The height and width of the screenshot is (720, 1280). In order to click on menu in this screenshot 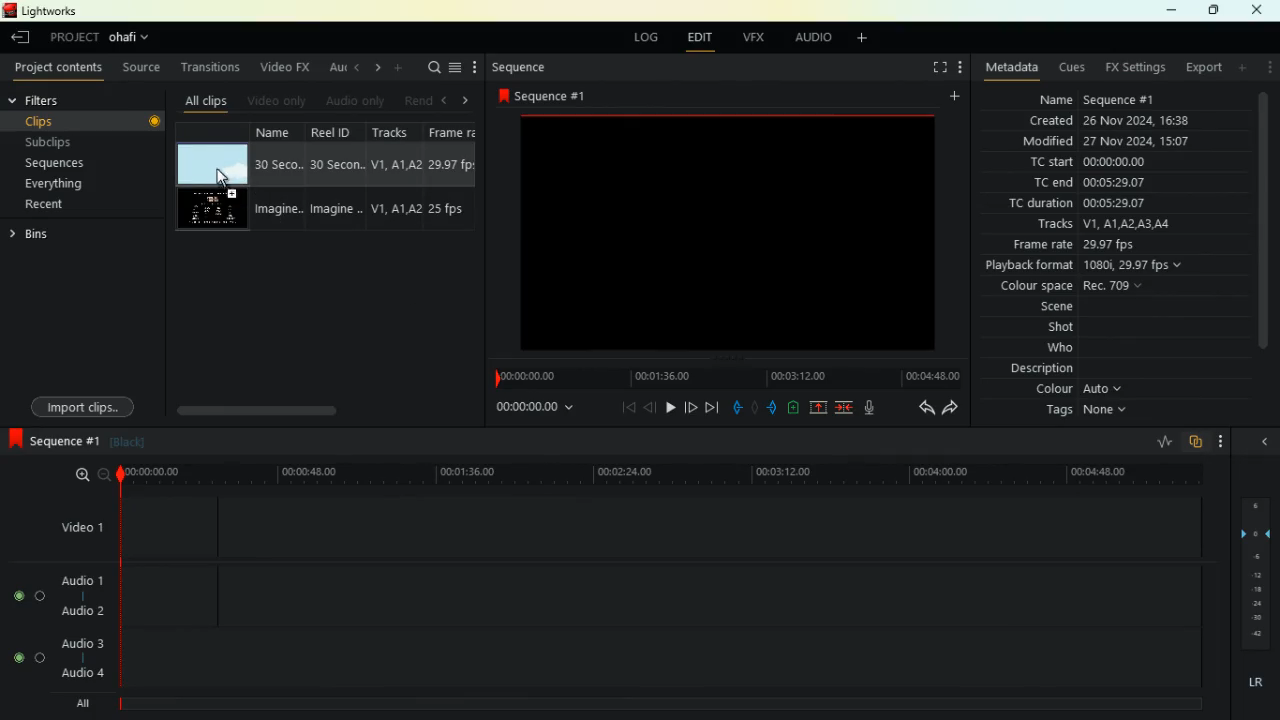, I will do `click(1266, 68)`.